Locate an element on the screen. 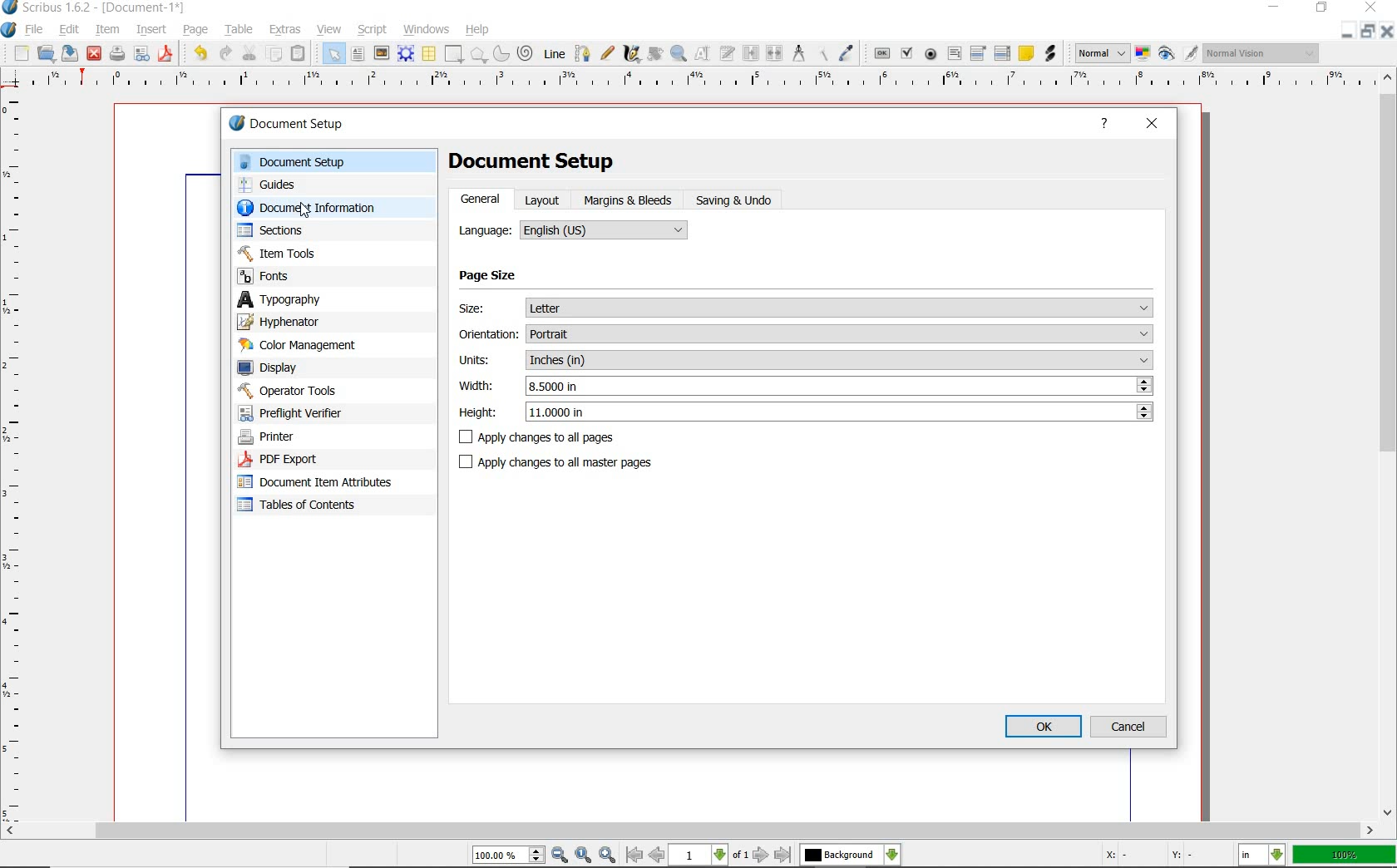  open is located at coordinates (47, 53).